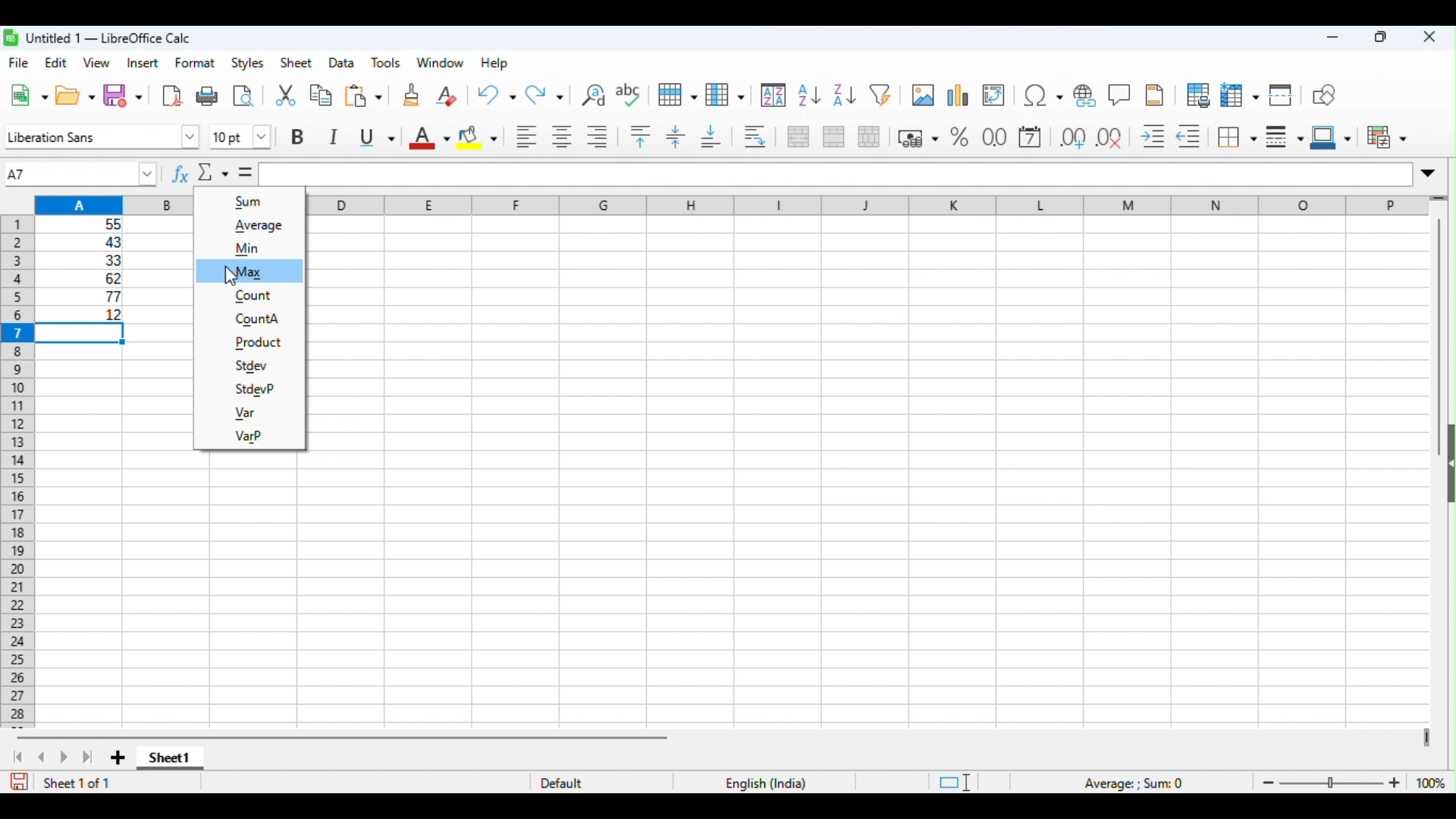 The height and width of the screenshot is (819, 1456). What do you see at coordinates (495, 63) in the screenshot?
I see `help` at bounding box center [495, 63].